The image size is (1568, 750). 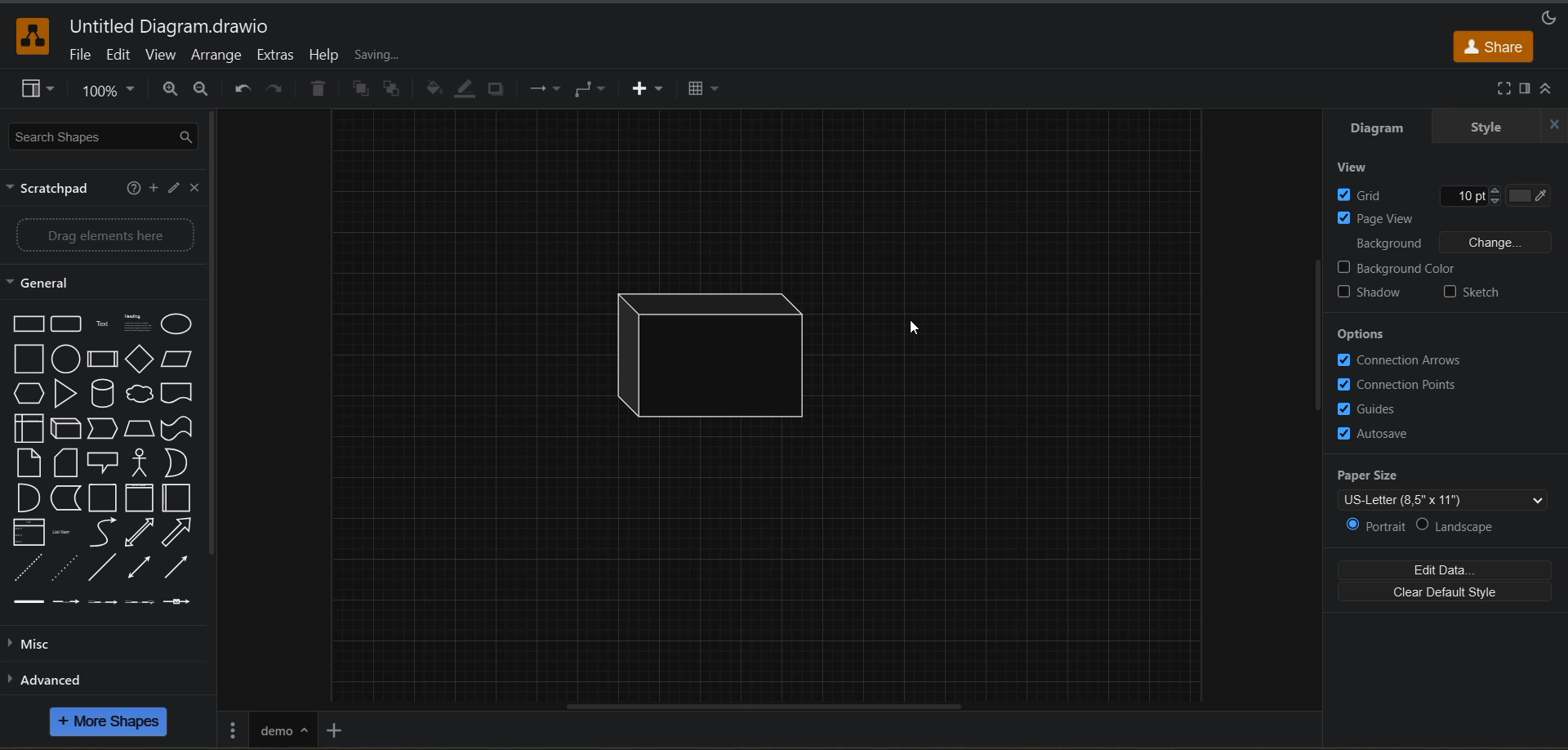 What do you see at coordinates (1466, 526) in the screenshot?
I see `landscape` at bounding box center [1466, 526].